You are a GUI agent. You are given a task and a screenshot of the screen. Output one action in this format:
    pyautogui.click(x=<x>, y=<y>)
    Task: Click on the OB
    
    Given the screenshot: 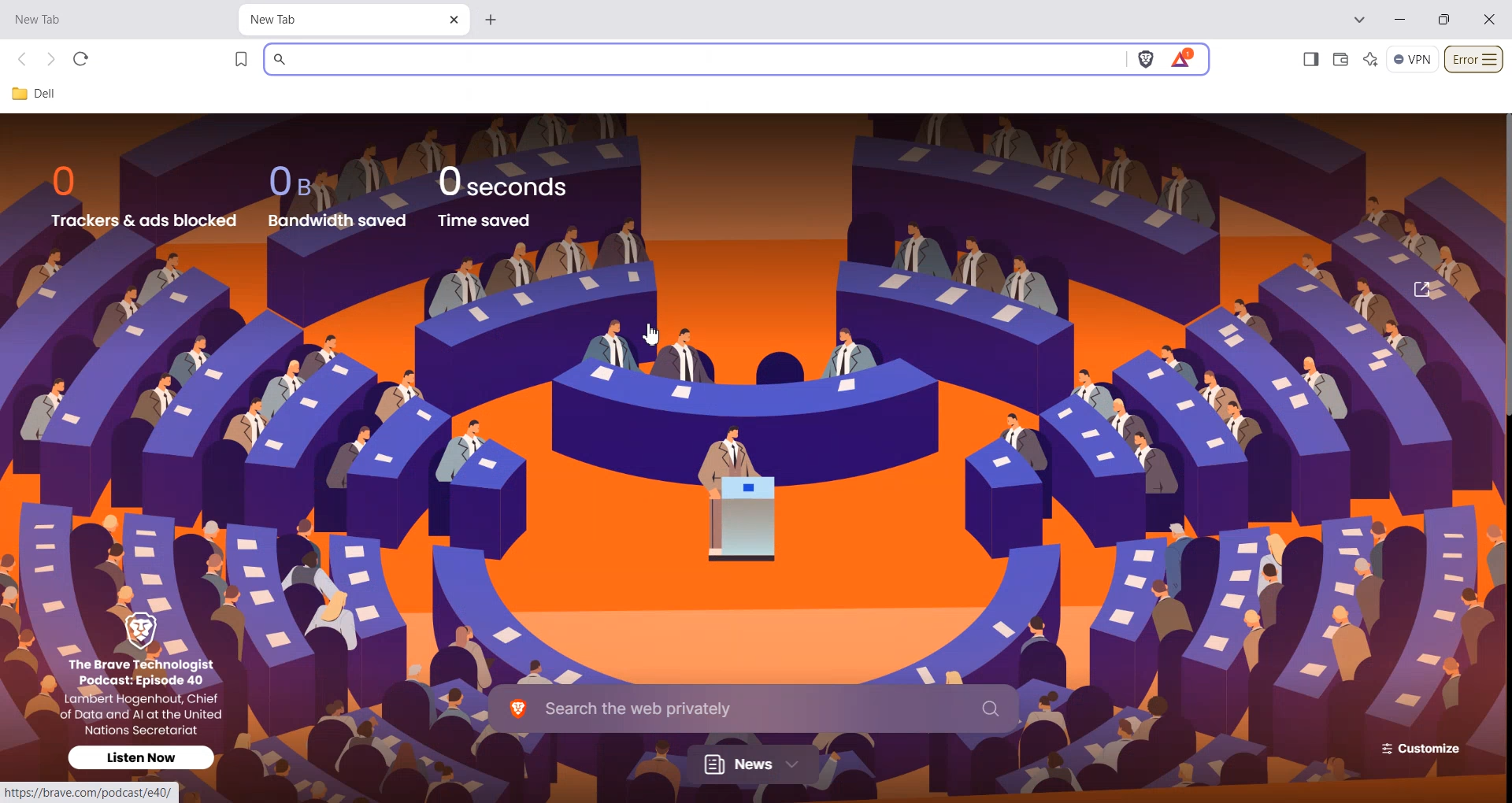 What is the action you would take?
    pyautogui.click(x=301, y=181)
    